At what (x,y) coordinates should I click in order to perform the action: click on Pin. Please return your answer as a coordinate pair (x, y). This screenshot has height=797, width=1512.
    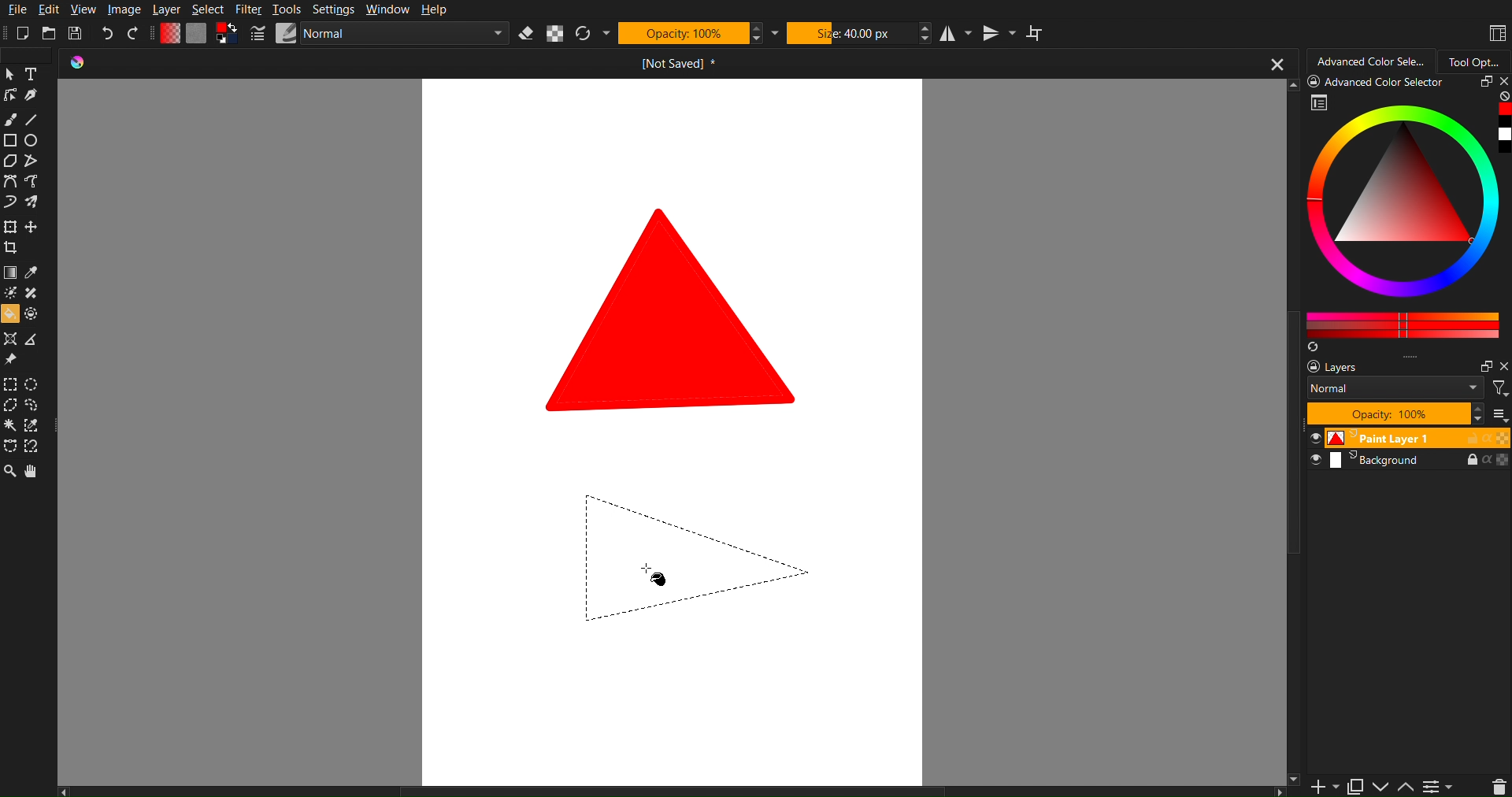
    Looking at the image, I should click on (9, 361).